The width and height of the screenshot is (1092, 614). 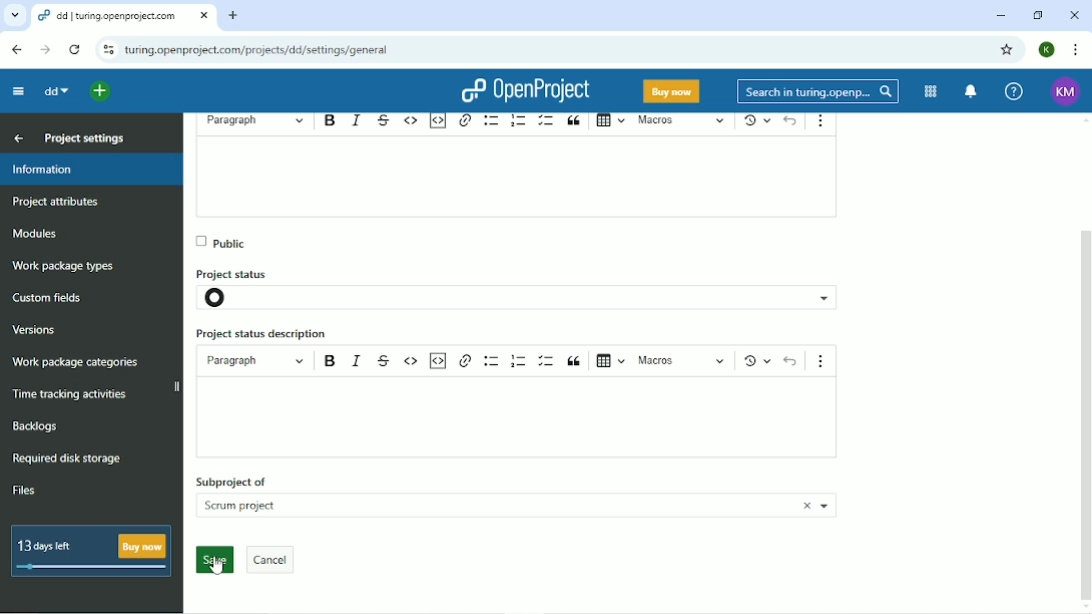 What do you see at coordinates (16, 138) in the screenshot?
I see `Back` at bounding box center [16, 138].